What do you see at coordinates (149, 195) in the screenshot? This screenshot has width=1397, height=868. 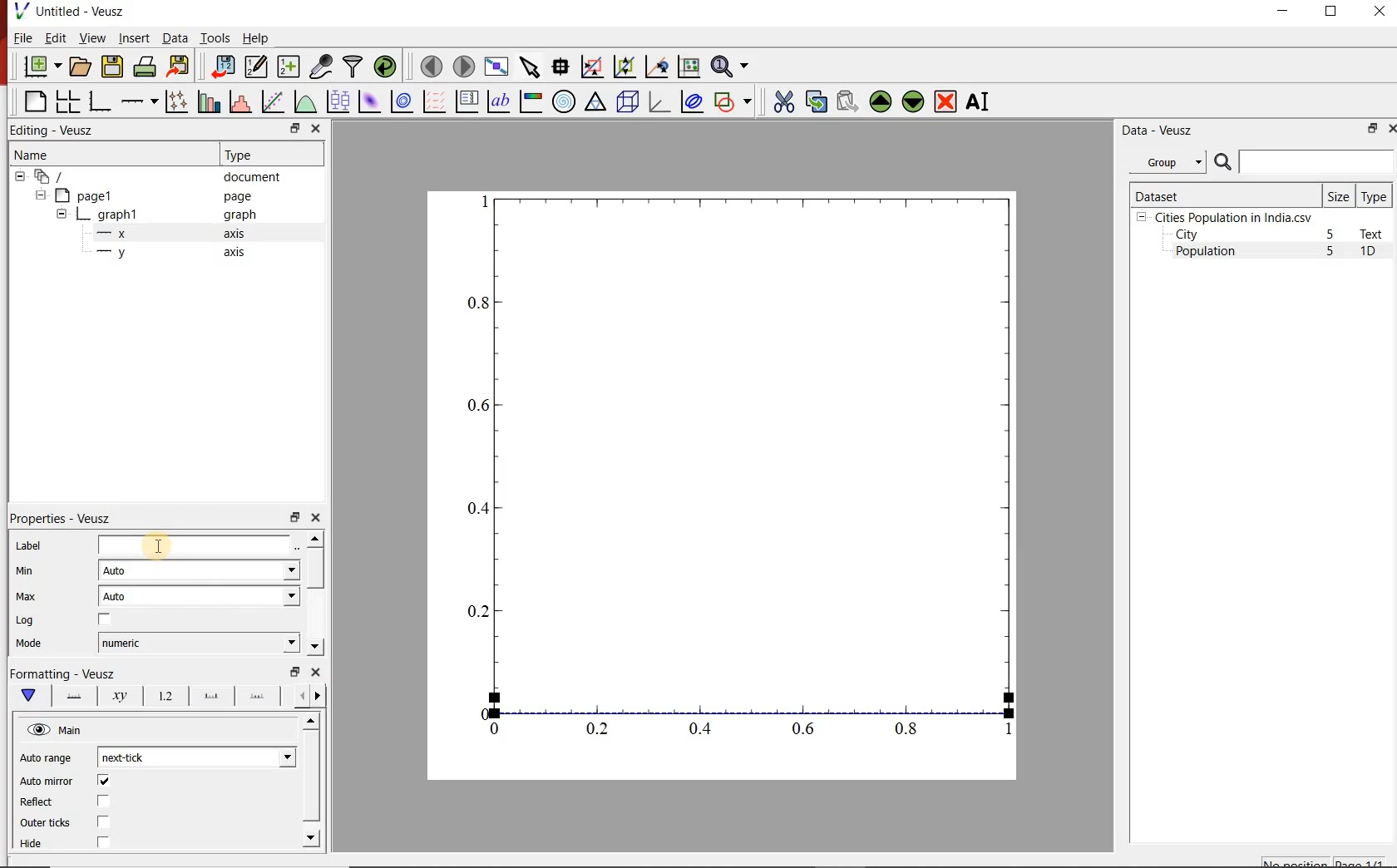 I see `page1` at bounding box center [149, 195].